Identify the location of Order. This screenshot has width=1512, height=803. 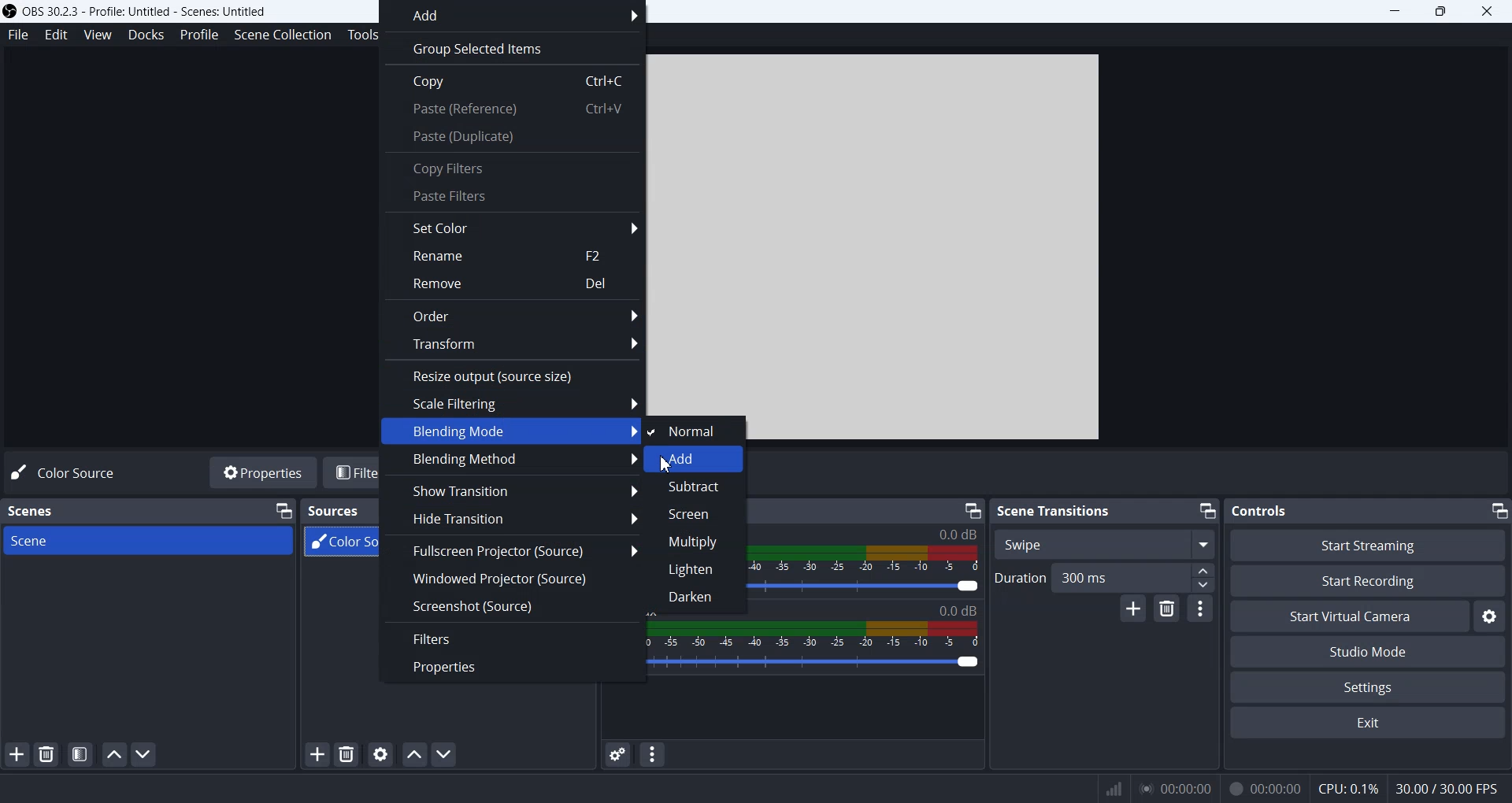
(513, 315).